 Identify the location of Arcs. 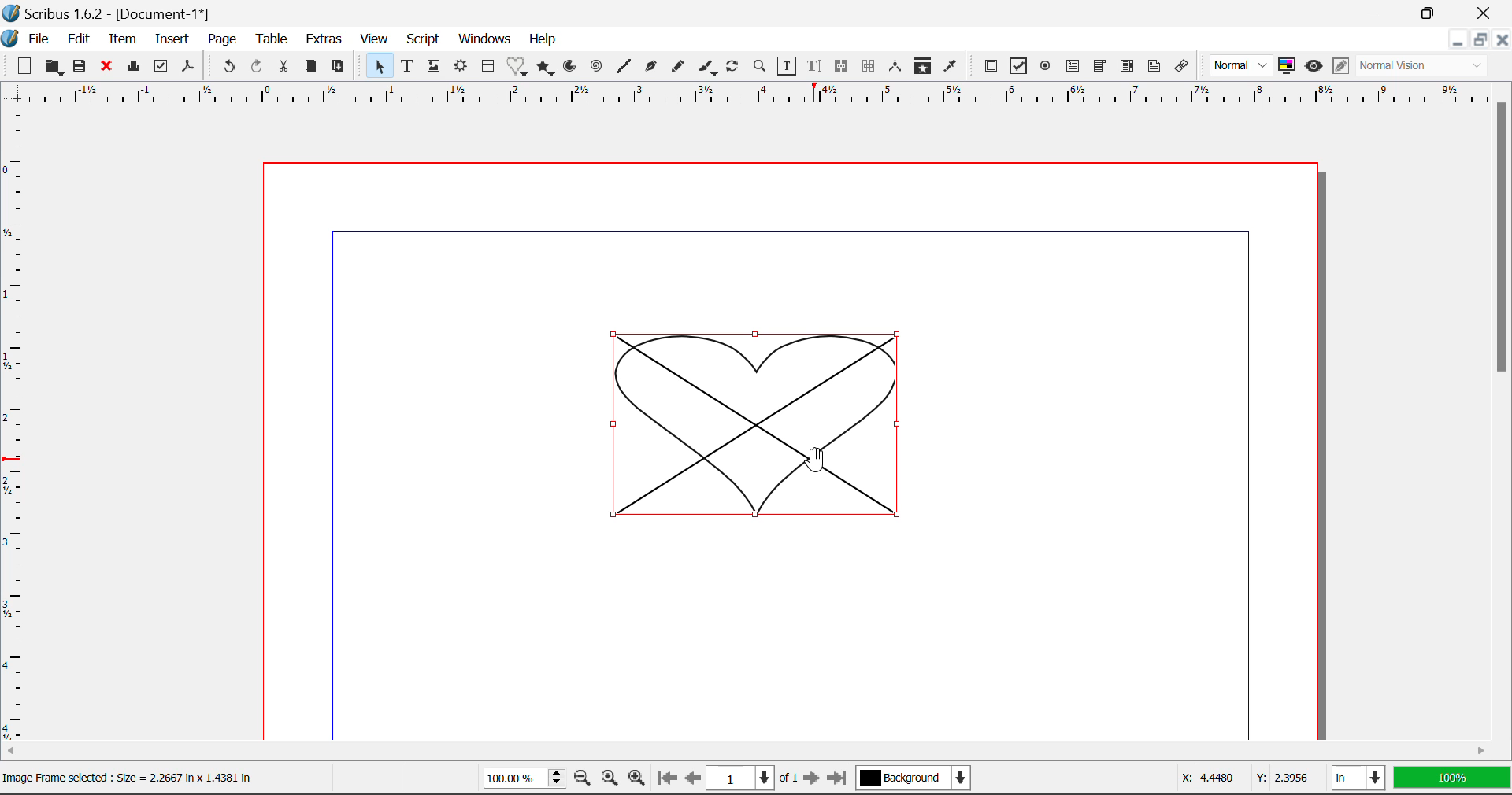
(569, 66).